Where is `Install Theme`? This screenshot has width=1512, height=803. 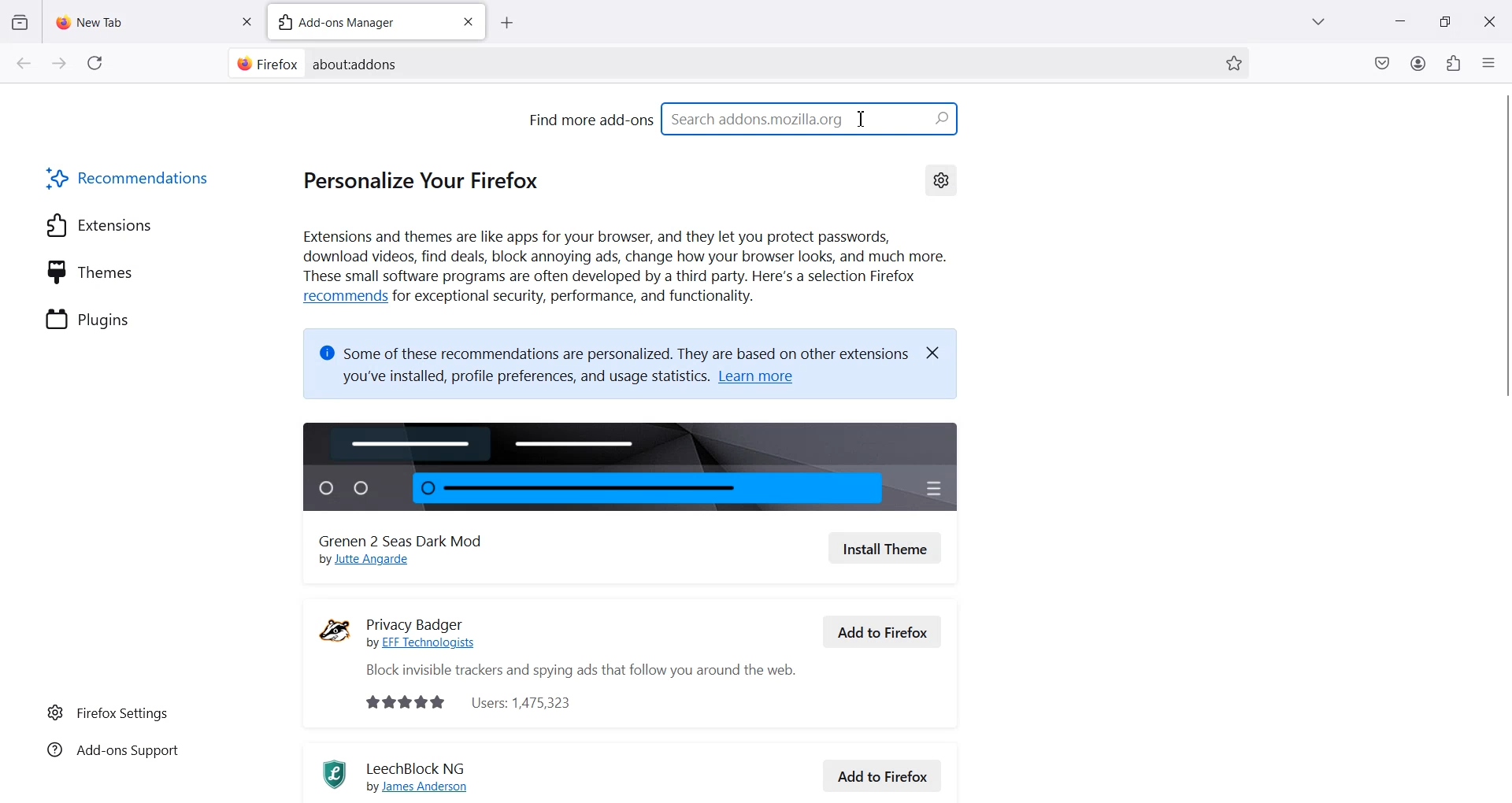 Install Theme is located at coordinates (885, 548).